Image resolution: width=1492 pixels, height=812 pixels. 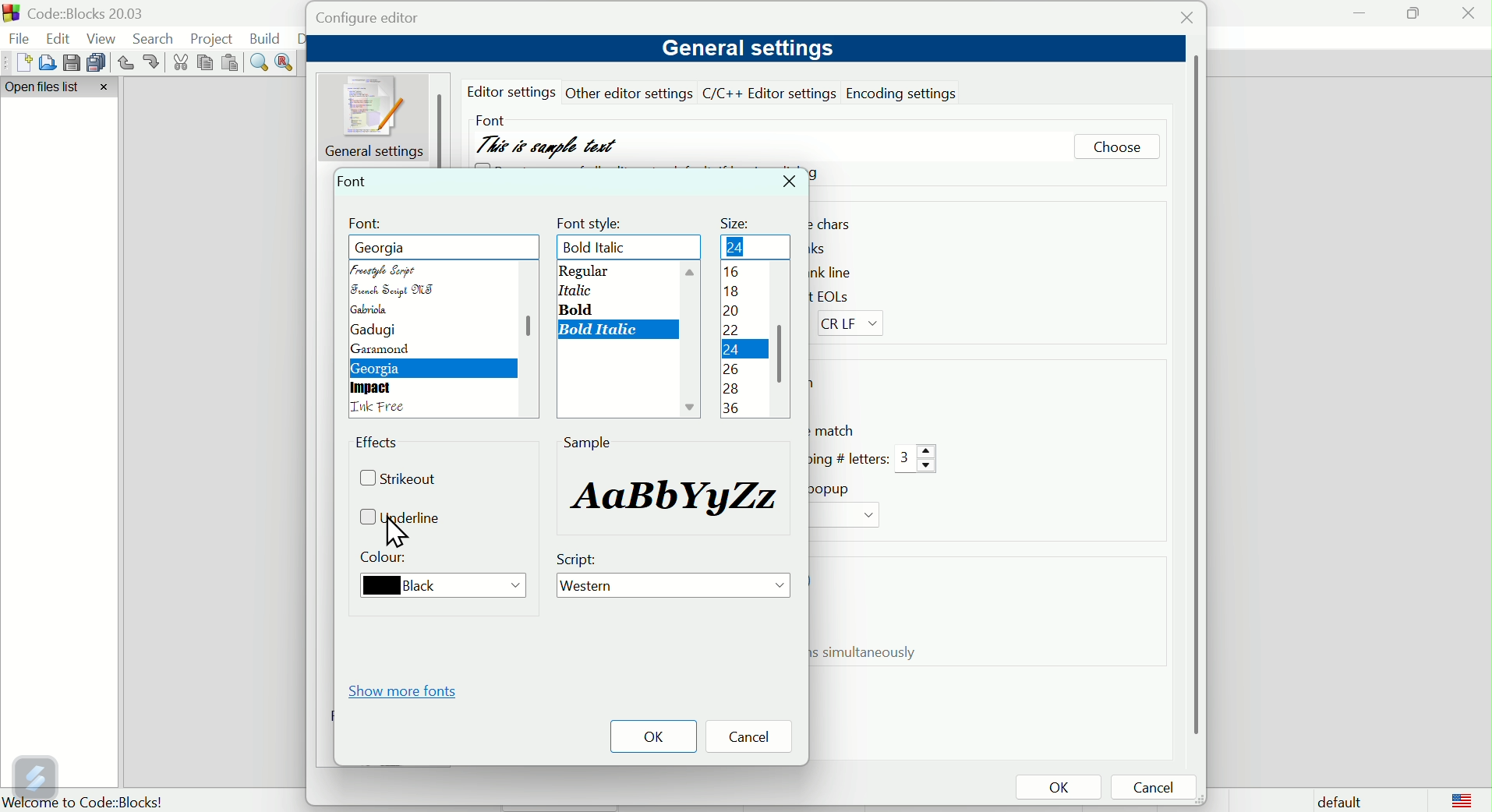 What do you see at coordinates (376, 309) in the screenshot?
I see `Gabriola` at bounding box center [376, 309].